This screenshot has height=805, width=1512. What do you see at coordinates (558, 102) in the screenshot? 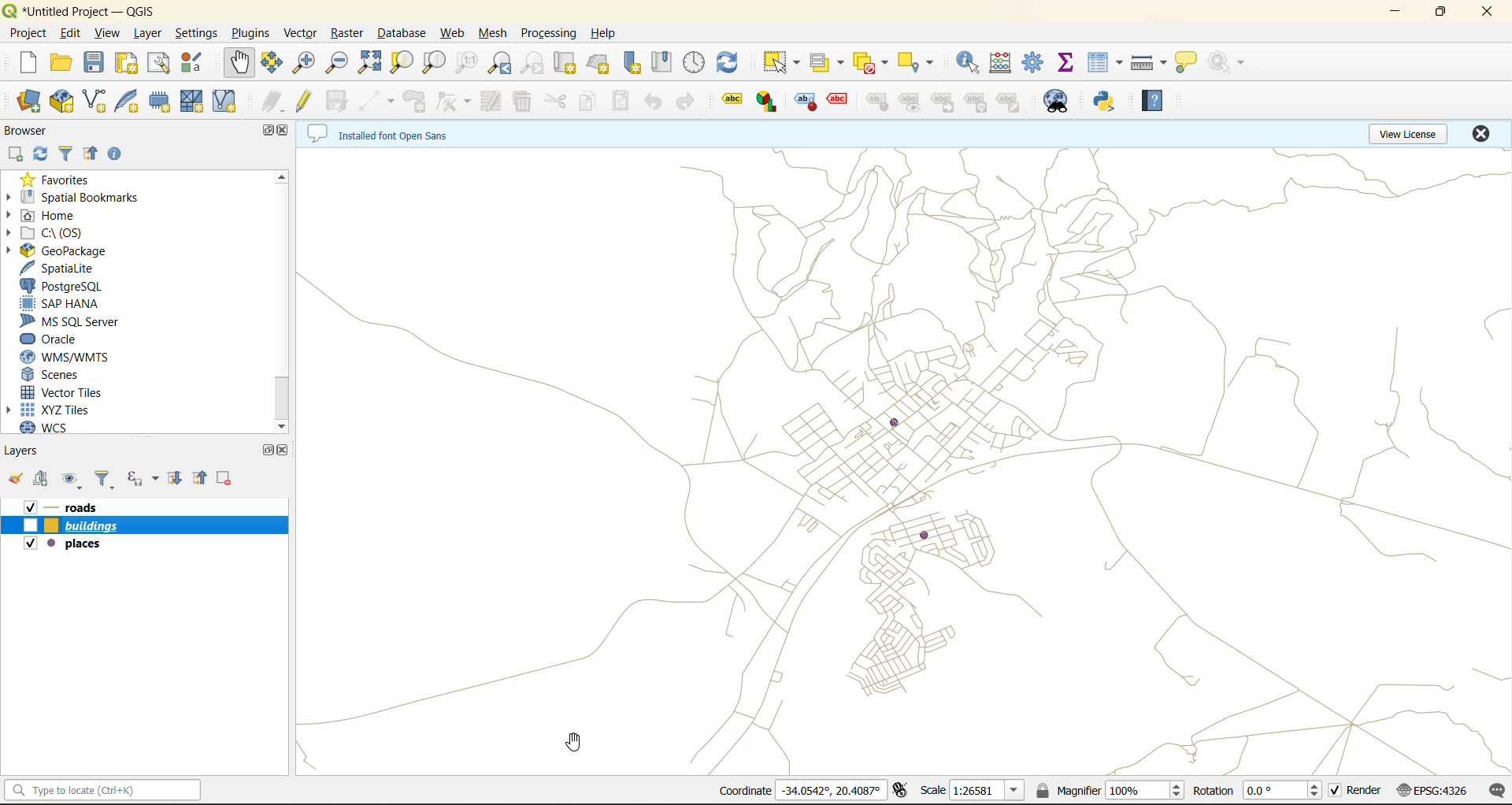
I see `cut` at bounding box center [558, 102].